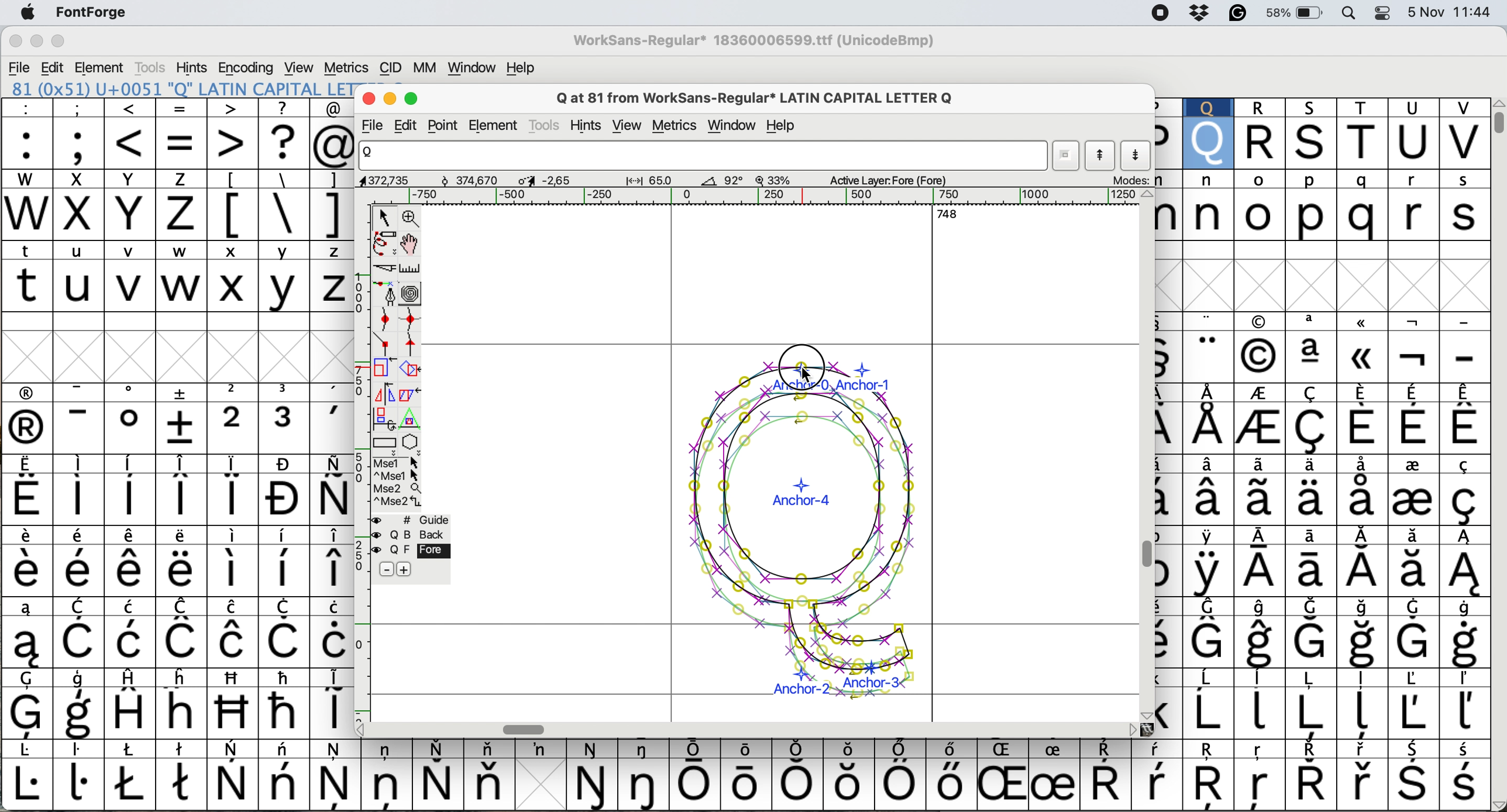  I want to click on text, so click(745, 751).